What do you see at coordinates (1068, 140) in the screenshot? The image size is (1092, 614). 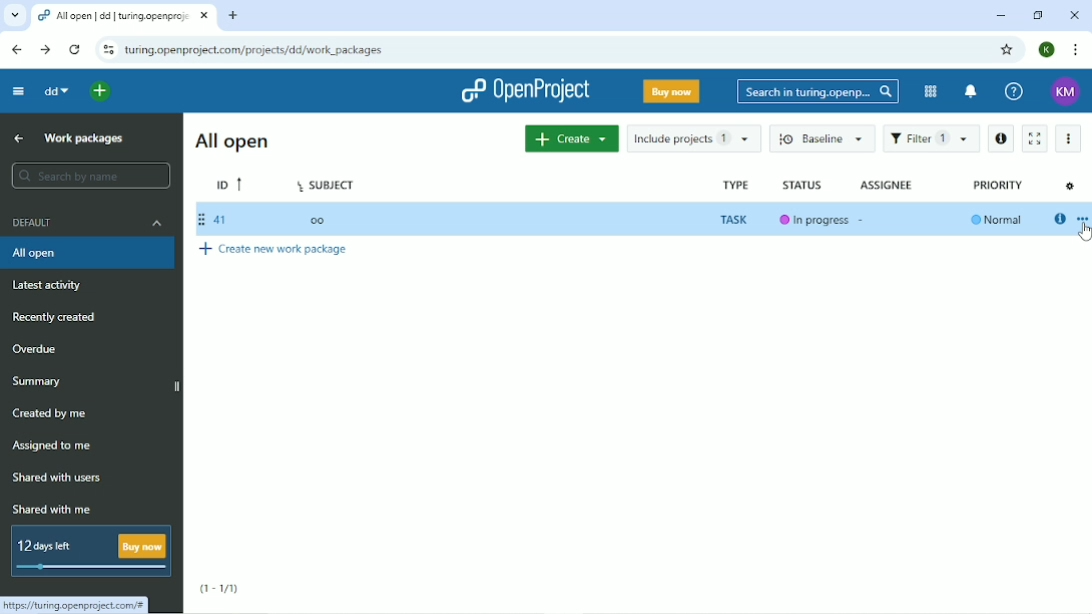 I see `More actions` at bounding box center [1068, 140].